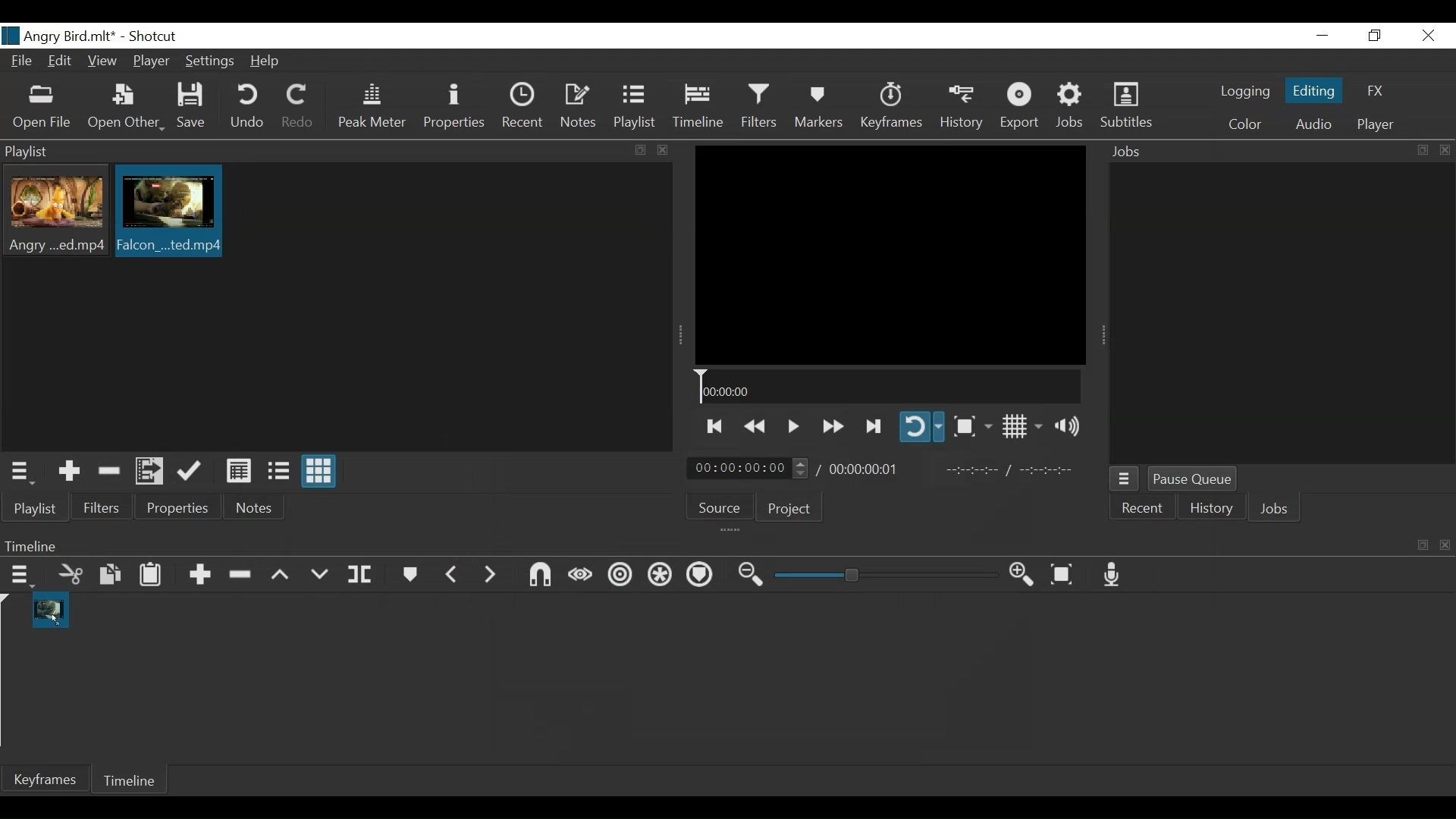  I want to click on Clip, so click(57, 212).